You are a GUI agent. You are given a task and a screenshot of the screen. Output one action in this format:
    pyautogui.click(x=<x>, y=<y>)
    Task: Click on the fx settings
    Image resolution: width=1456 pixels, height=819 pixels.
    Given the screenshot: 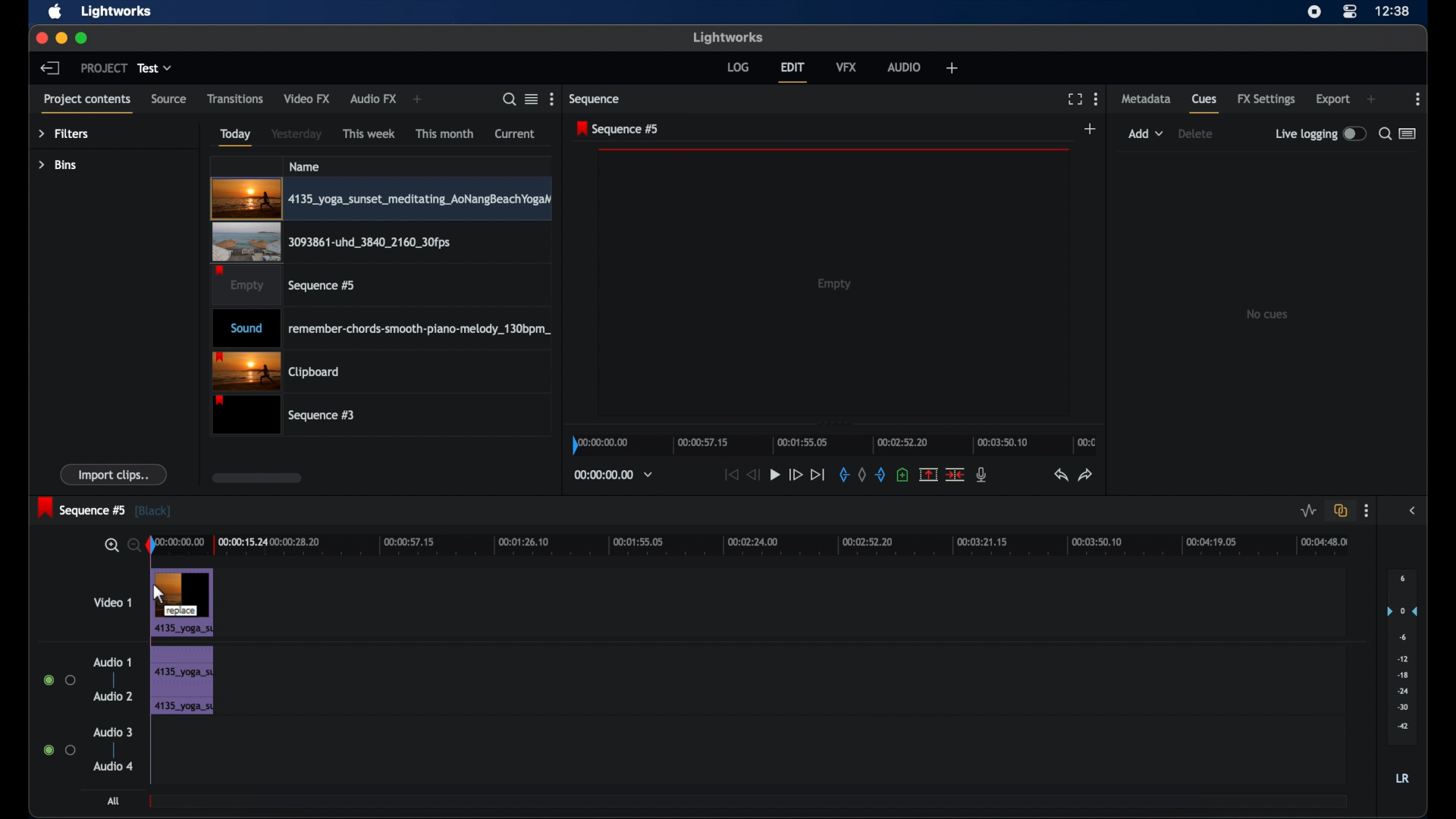 What is the action you would take?
    pyautogui.click(x=1266, y=99)
    